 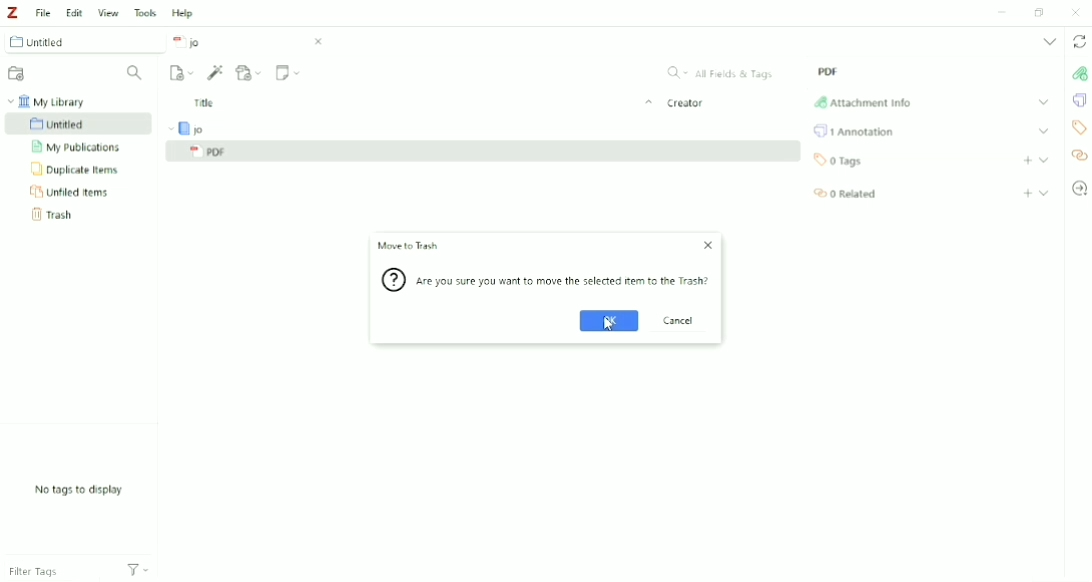 I want to click on Filters, so click(x=146, y=564).